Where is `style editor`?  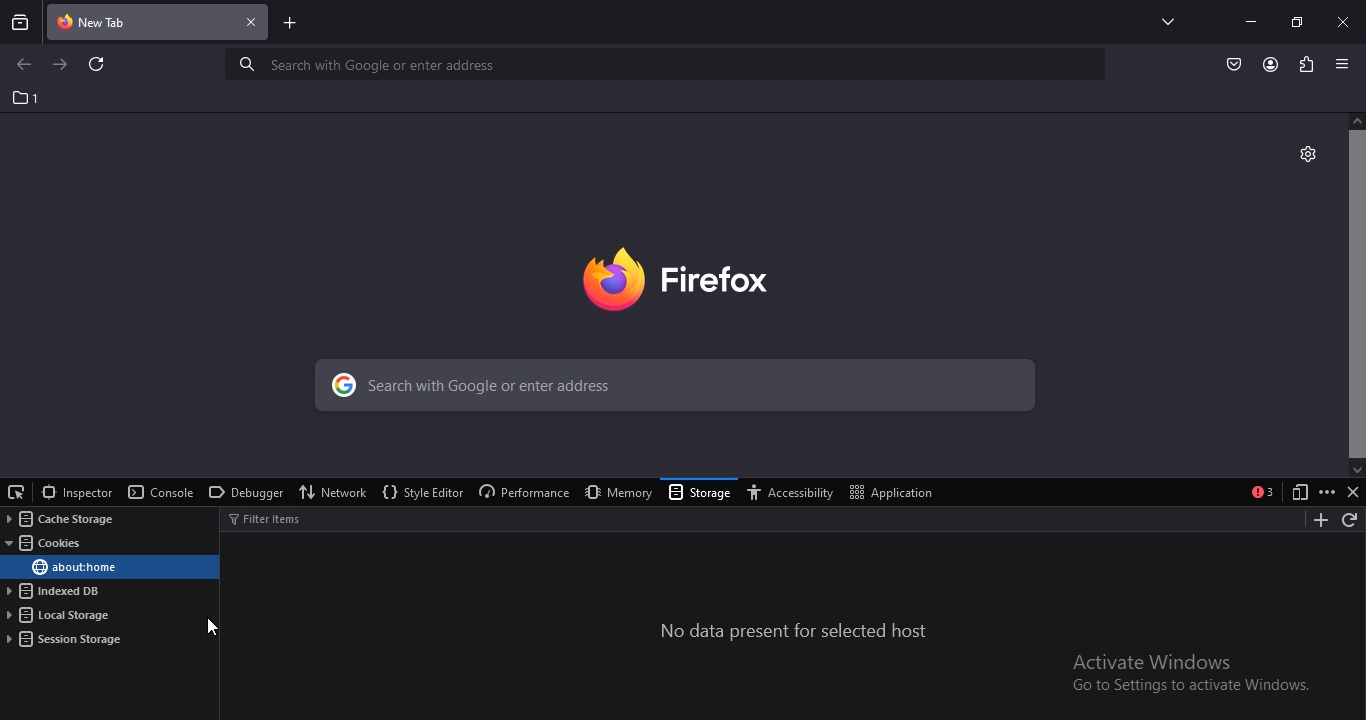 style editor is located at coordinates (421, 493).